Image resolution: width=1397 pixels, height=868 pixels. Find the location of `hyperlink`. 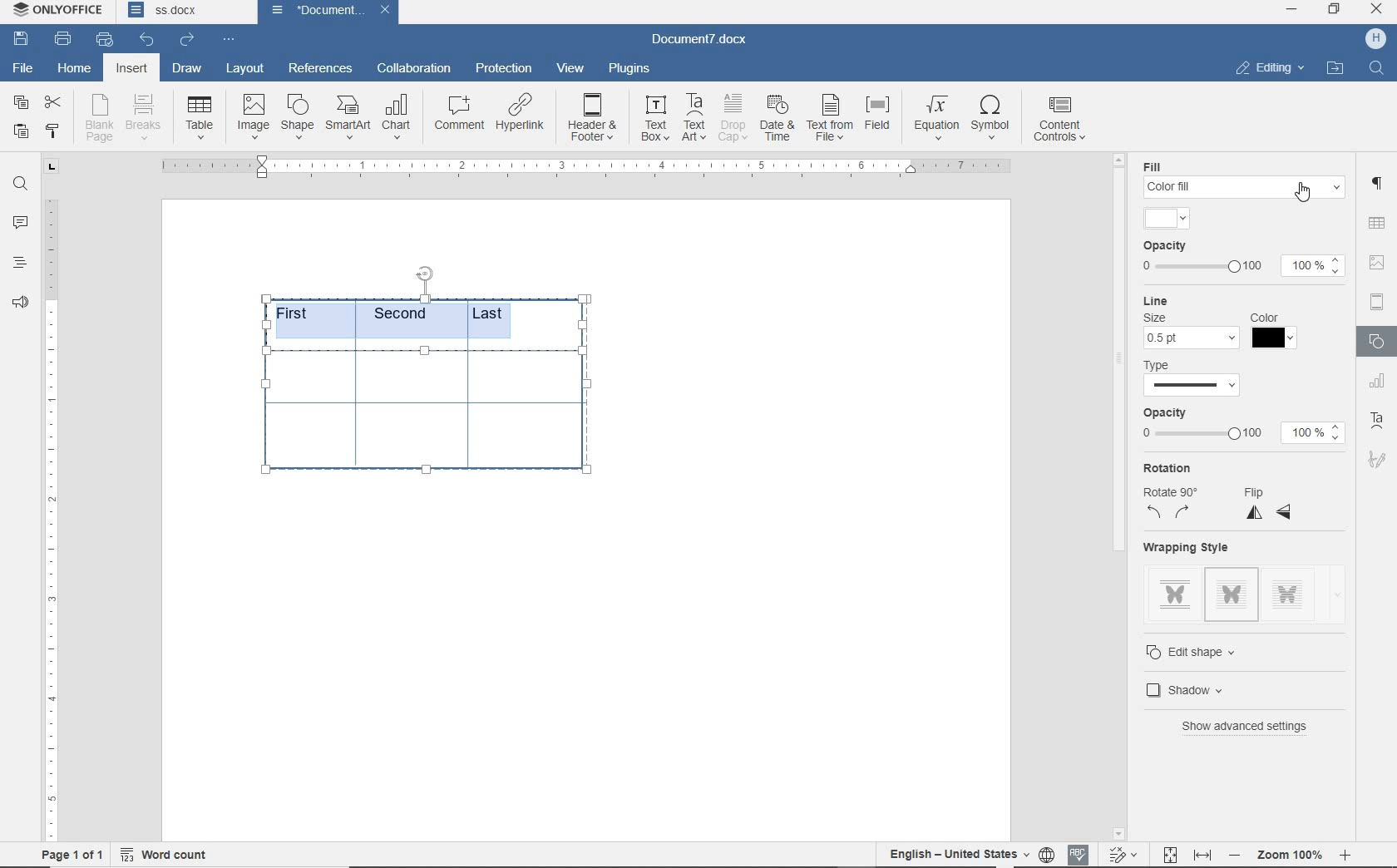

hyperlink is located at coordinates (522, 116).